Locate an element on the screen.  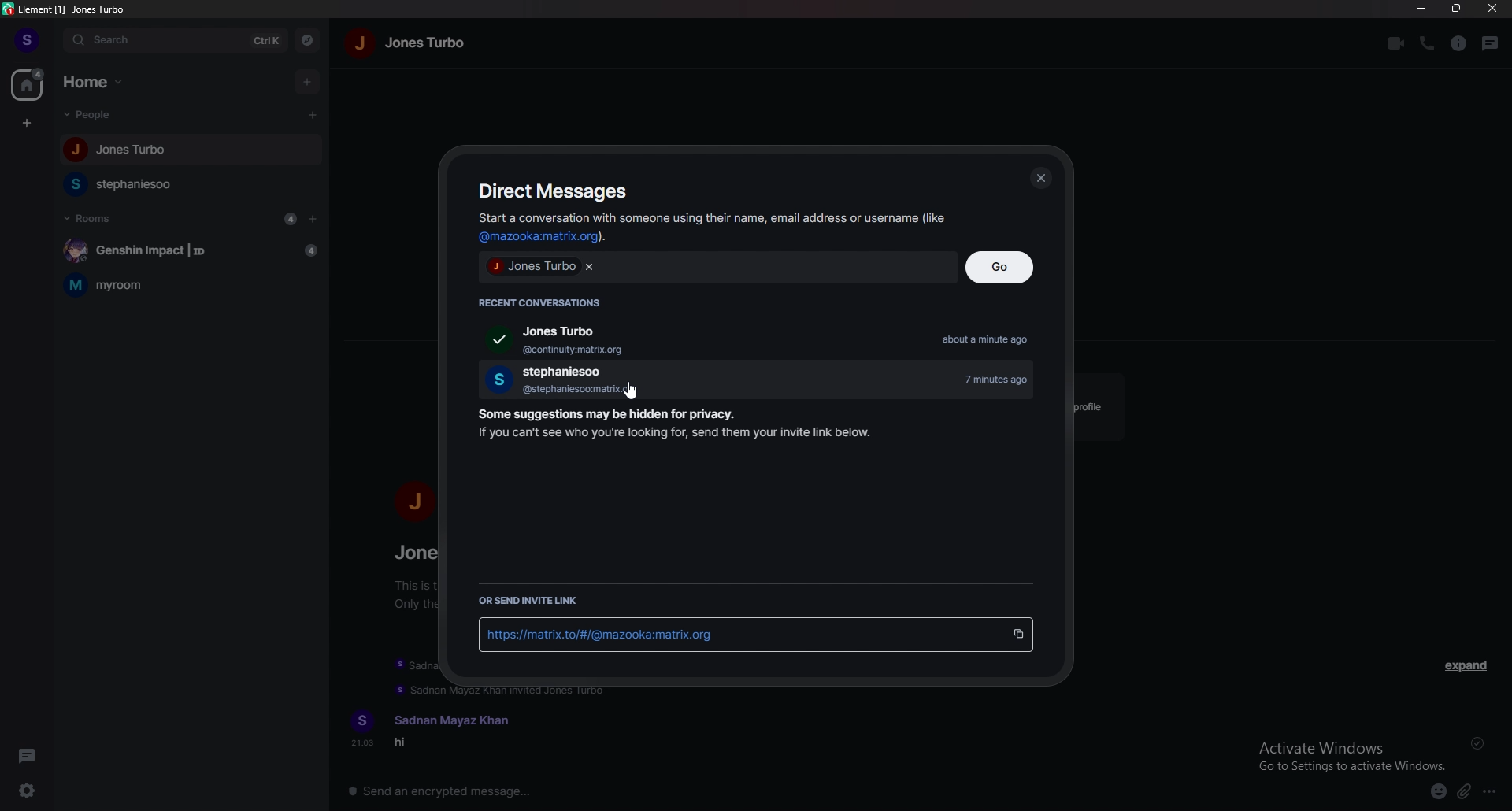
4 is located at coordinates (290, 219).